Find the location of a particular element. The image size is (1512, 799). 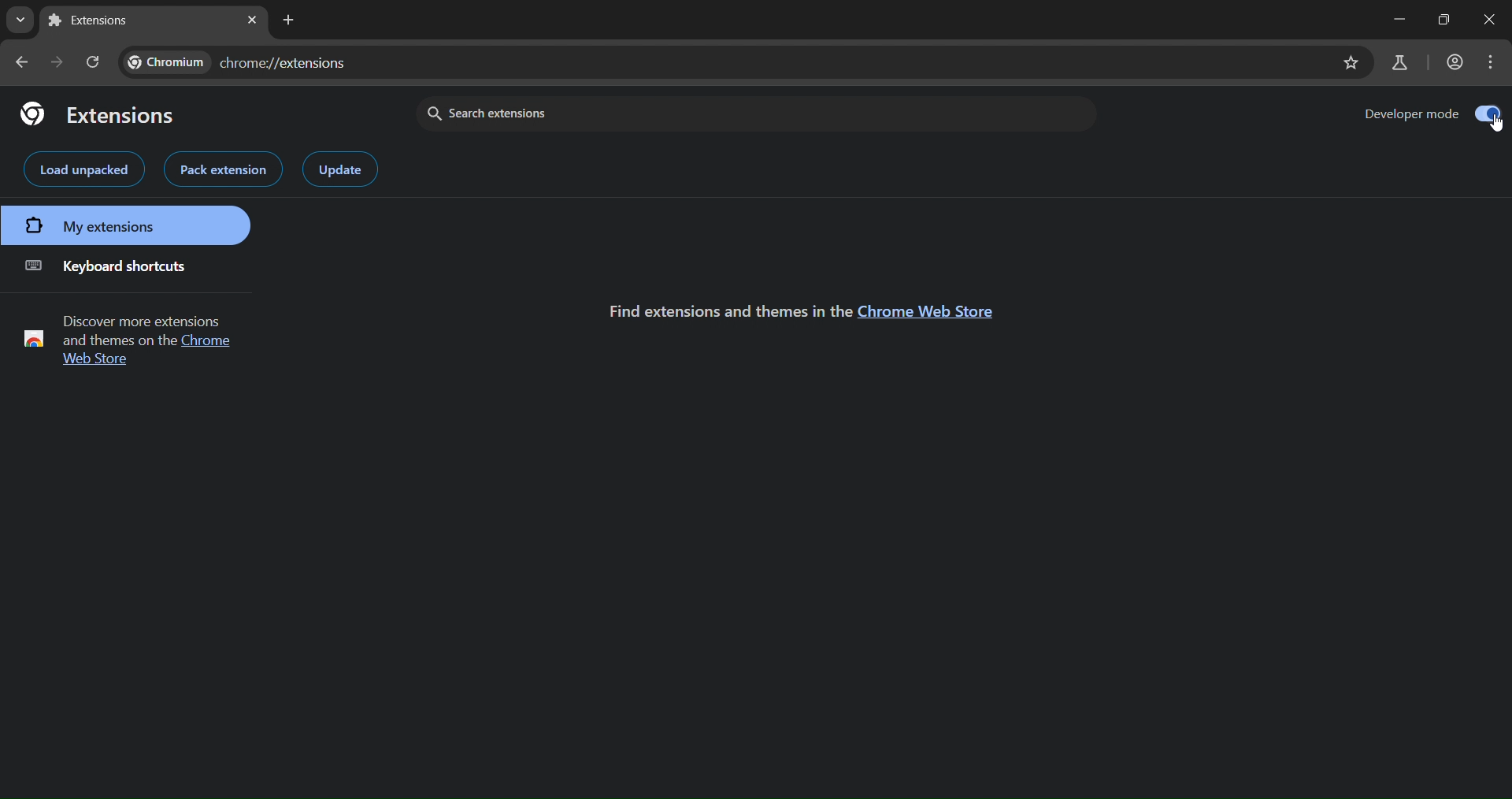

web address is located at coordinates (239, 61).